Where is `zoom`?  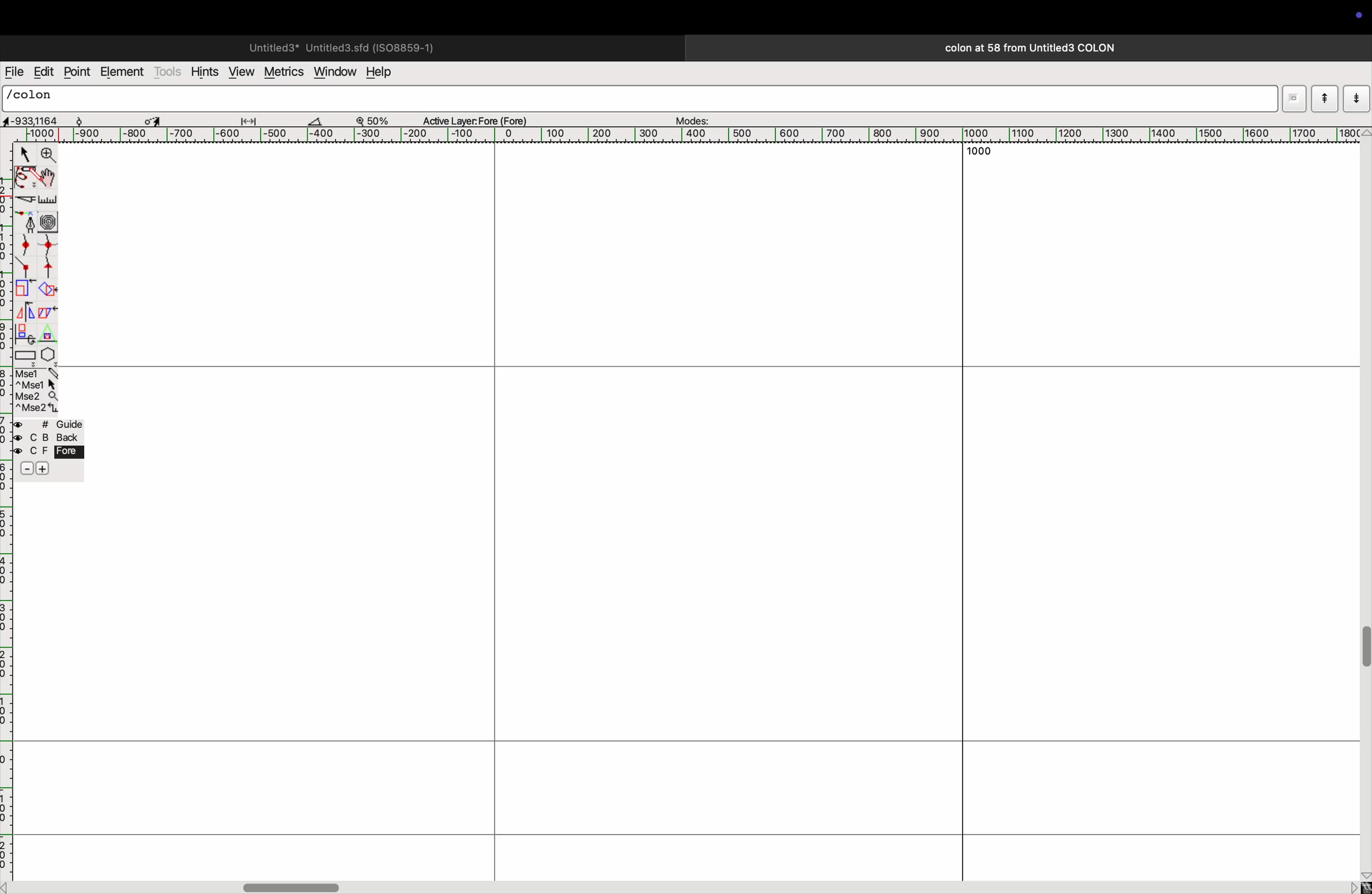 zoom is located at coordinates (378, 119).